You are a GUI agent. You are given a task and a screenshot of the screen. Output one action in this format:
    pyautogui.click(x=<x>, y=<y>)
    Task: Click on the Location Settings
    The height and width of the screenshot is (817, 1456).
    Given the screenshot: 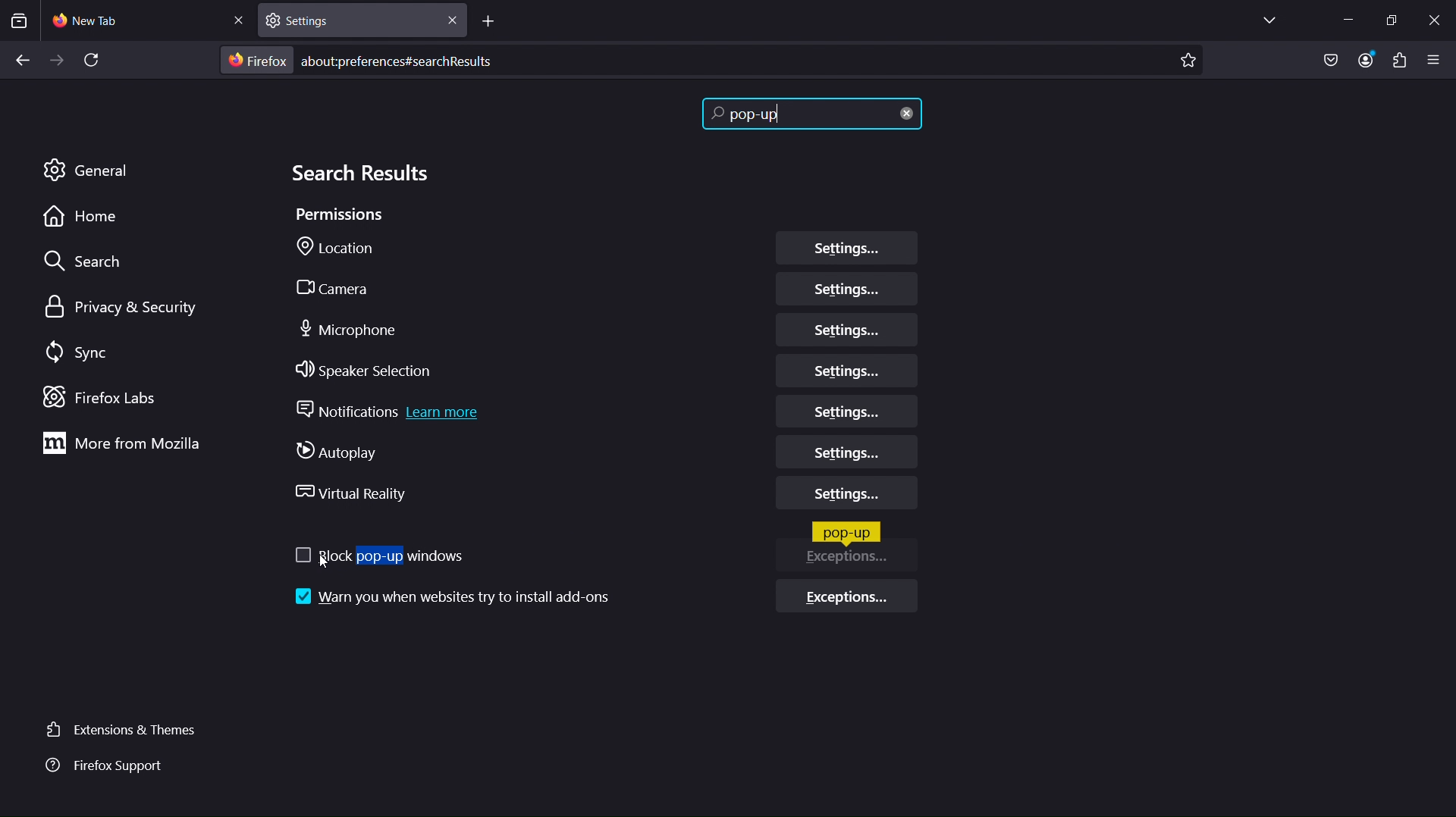 What is the action you would take?
    pyautogui.click(x=846, y=249)
    